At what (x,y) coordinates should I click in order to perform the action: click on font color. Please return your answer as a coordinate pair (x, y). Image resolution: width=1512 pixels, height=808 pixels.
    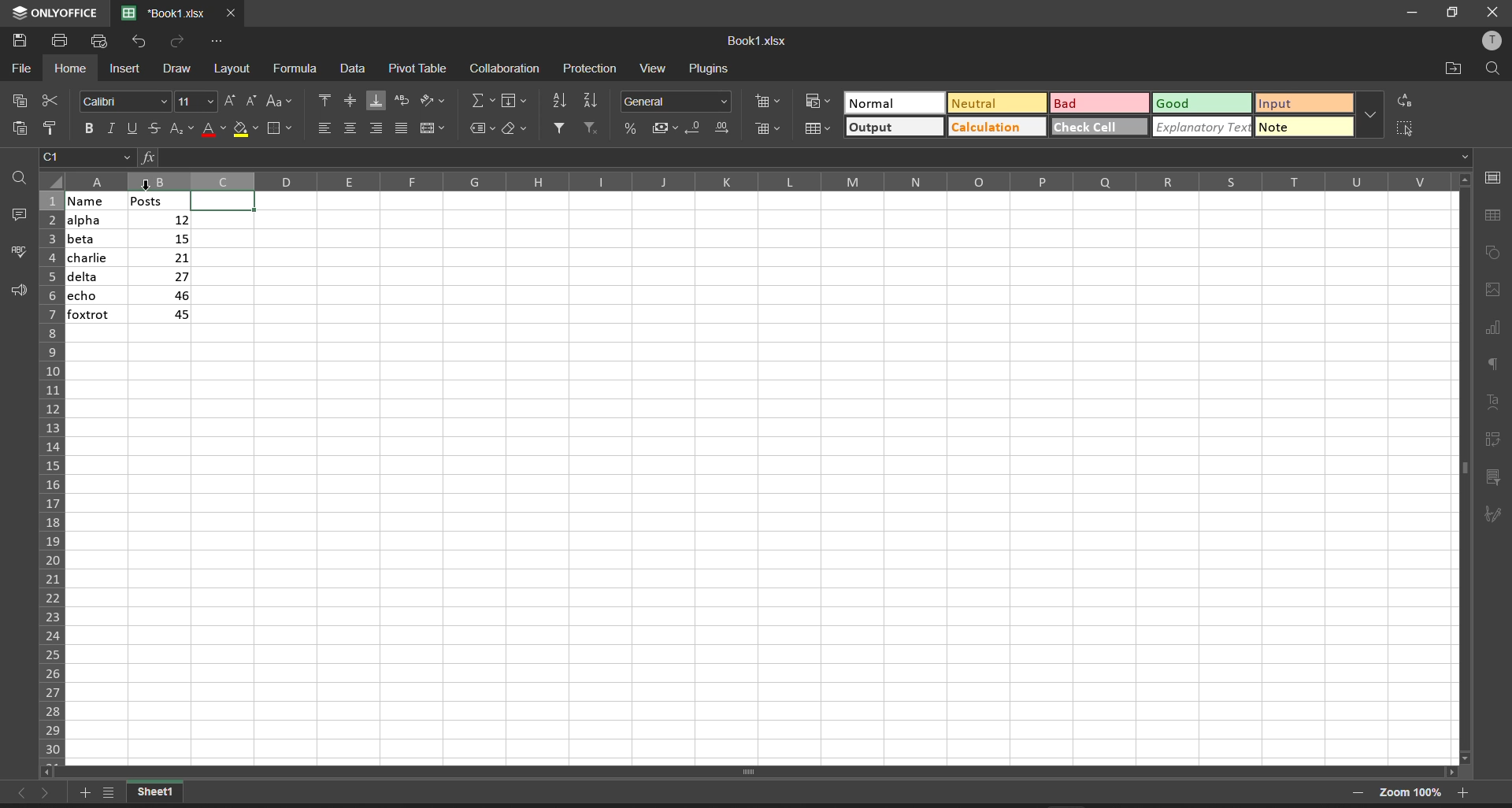
    Looking at the image, I should click on (211, 131).